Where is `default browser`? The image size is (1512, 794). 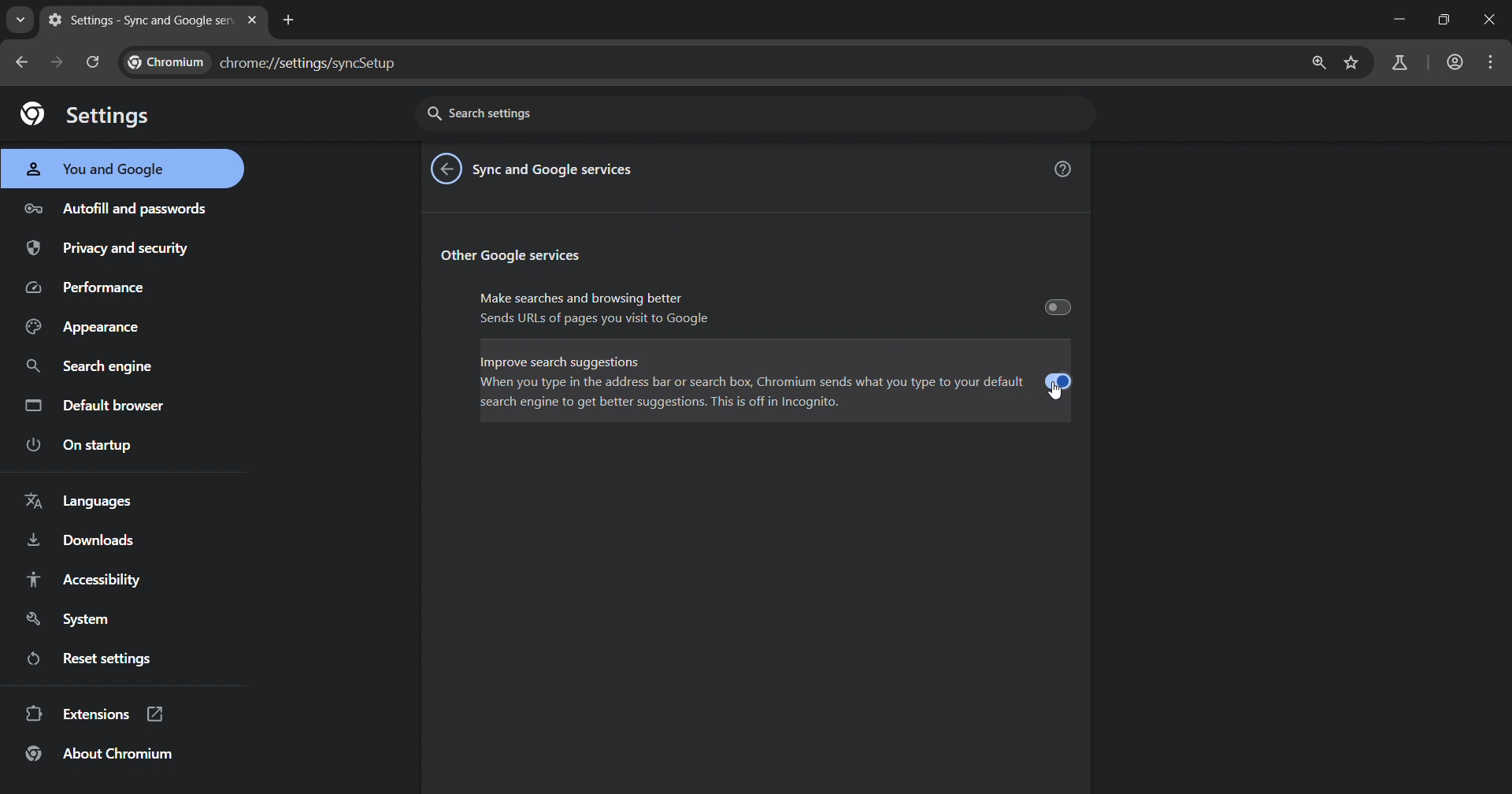 default browser is located at coordinates (91, 404).